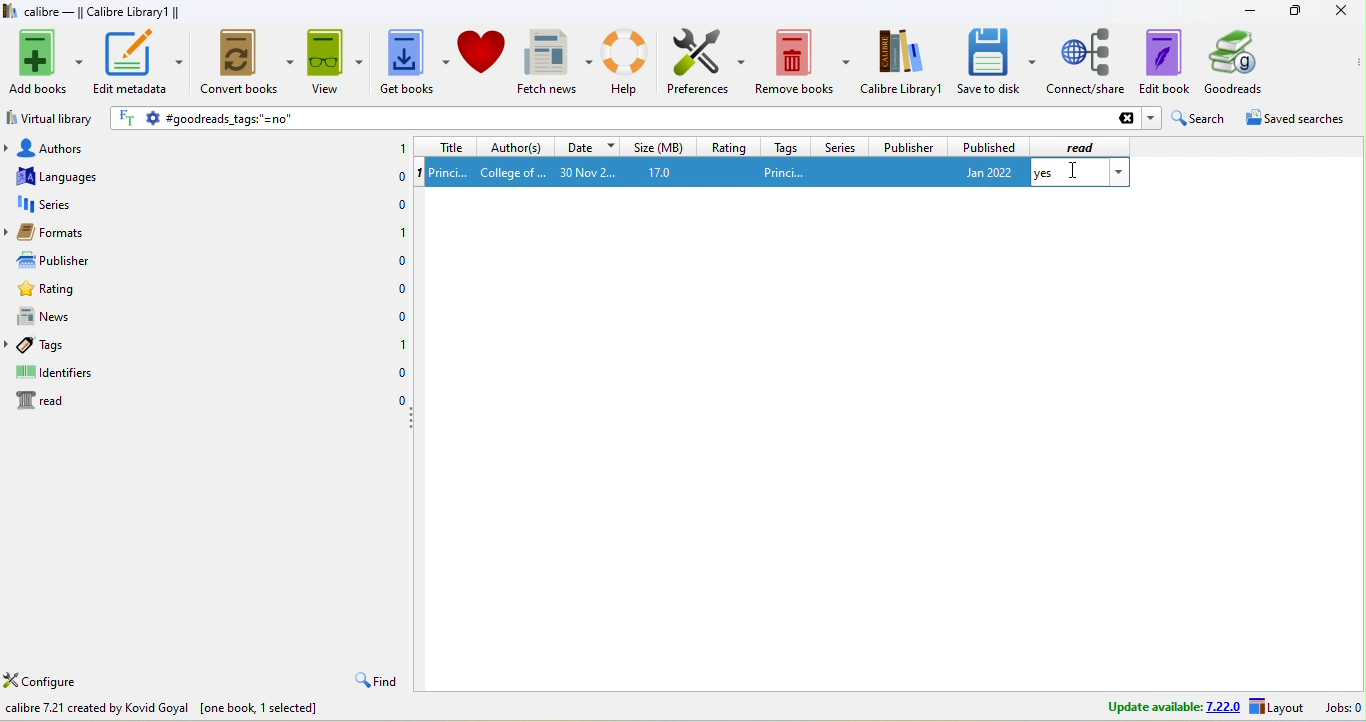  What do you see at coordinates (787, 147) in the screenshot?
I see `tags` at bounding box center [787, 147].